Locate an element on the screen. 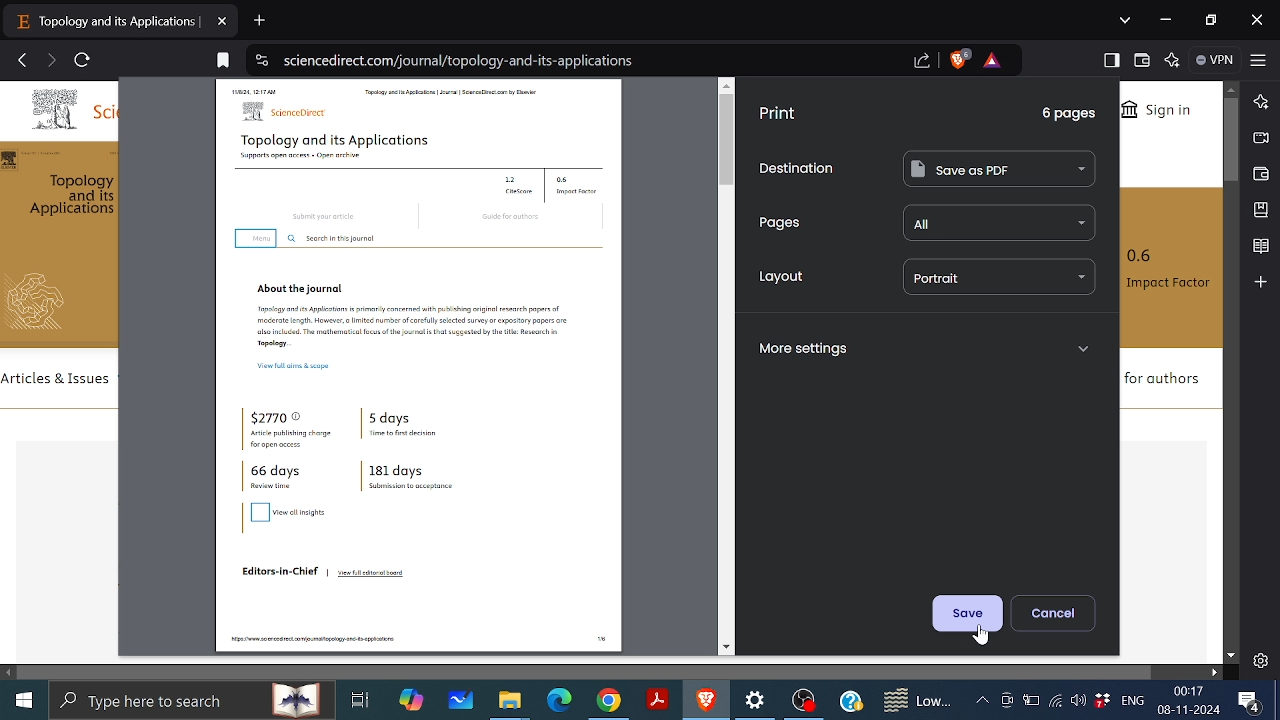  Cancel is located at coordinates (1054, 614).